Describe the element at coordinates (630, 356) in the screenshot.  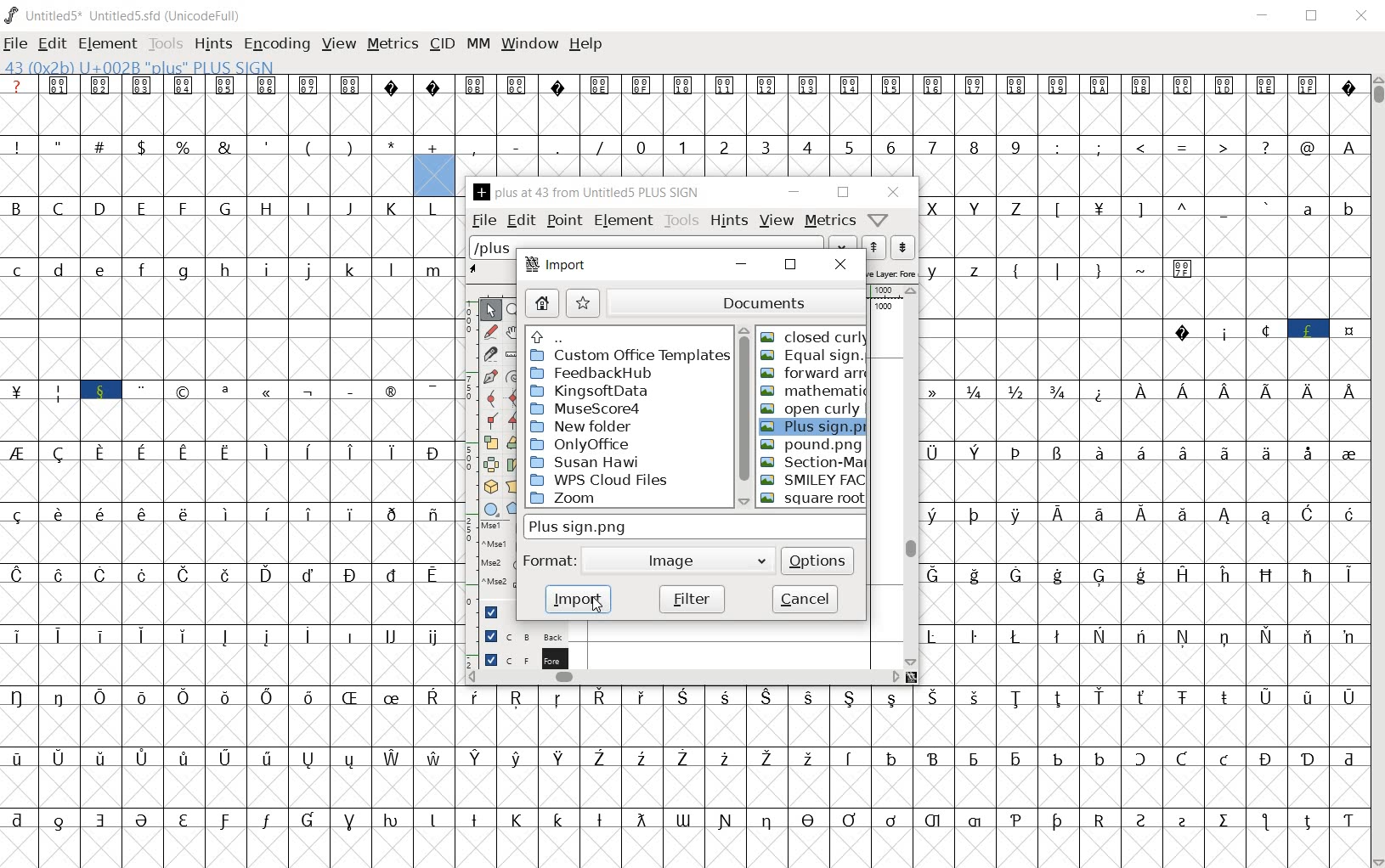
I see `custom offices templates` at that location.